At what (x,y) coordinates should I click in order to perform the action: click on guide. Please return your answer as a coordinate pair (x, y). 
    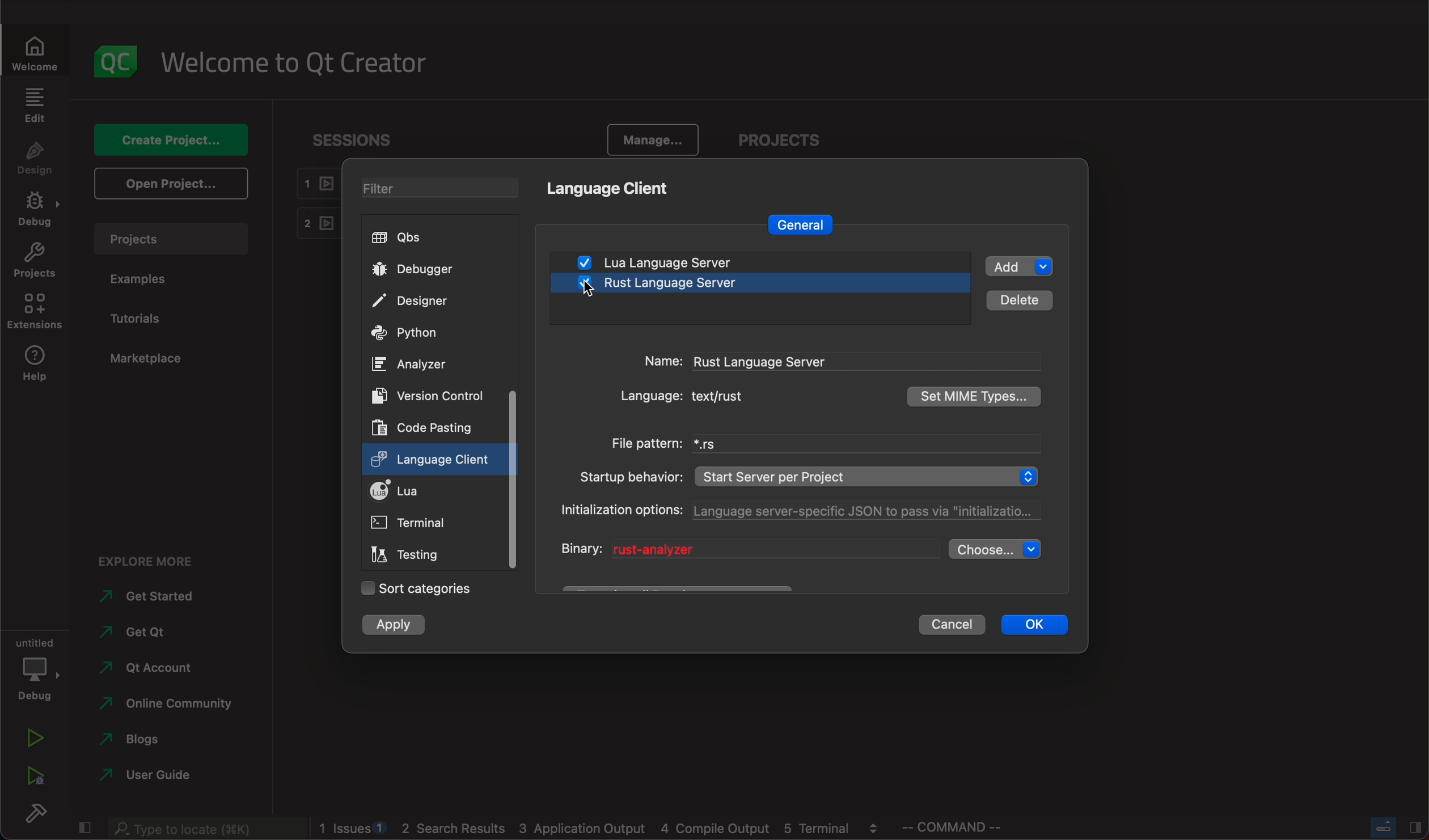
    Looking at the image, I should click on (146, 777).